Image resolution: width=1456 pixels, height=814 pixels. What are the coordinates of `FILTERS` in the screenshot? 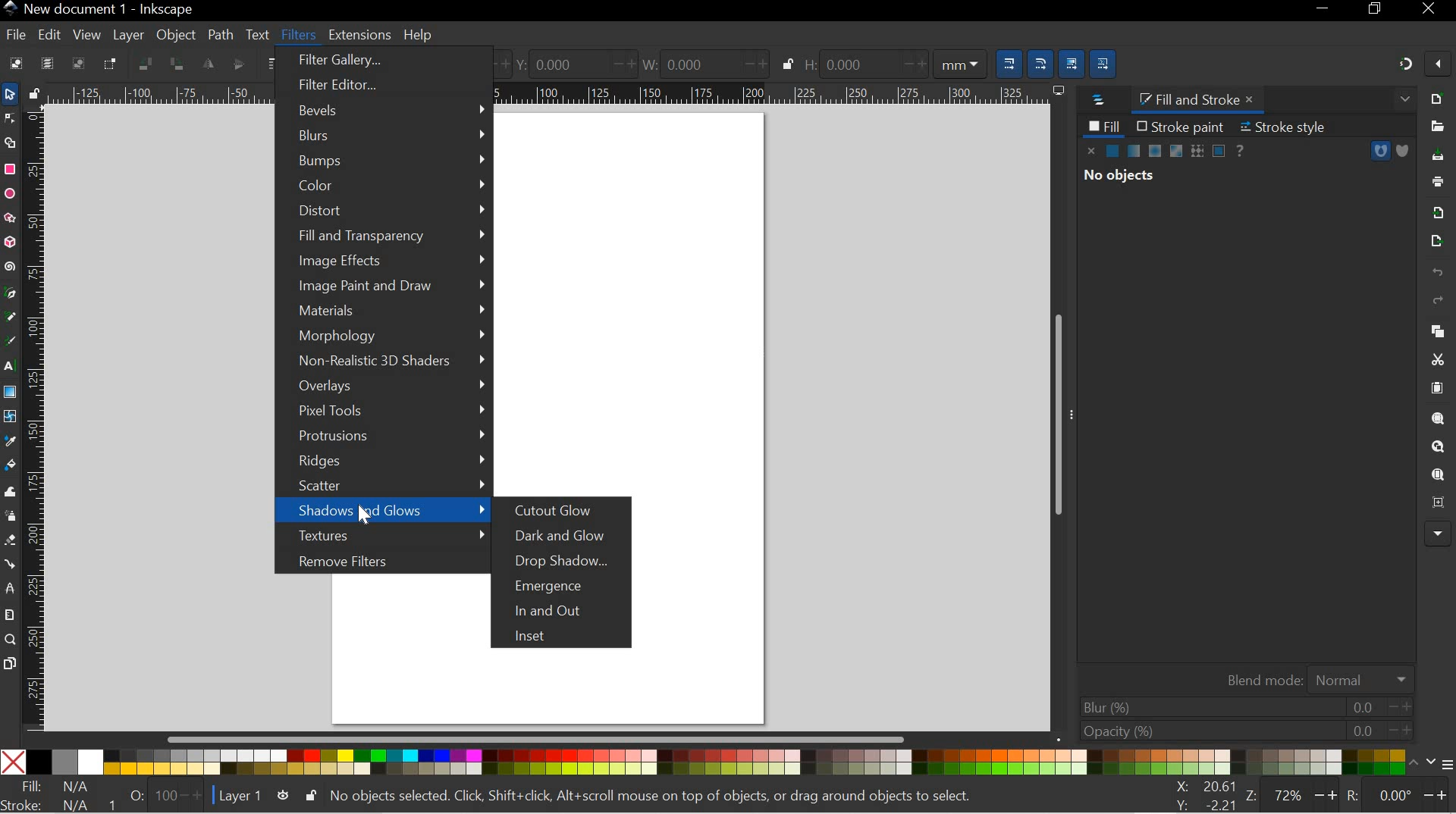 It's located at (297, 33).